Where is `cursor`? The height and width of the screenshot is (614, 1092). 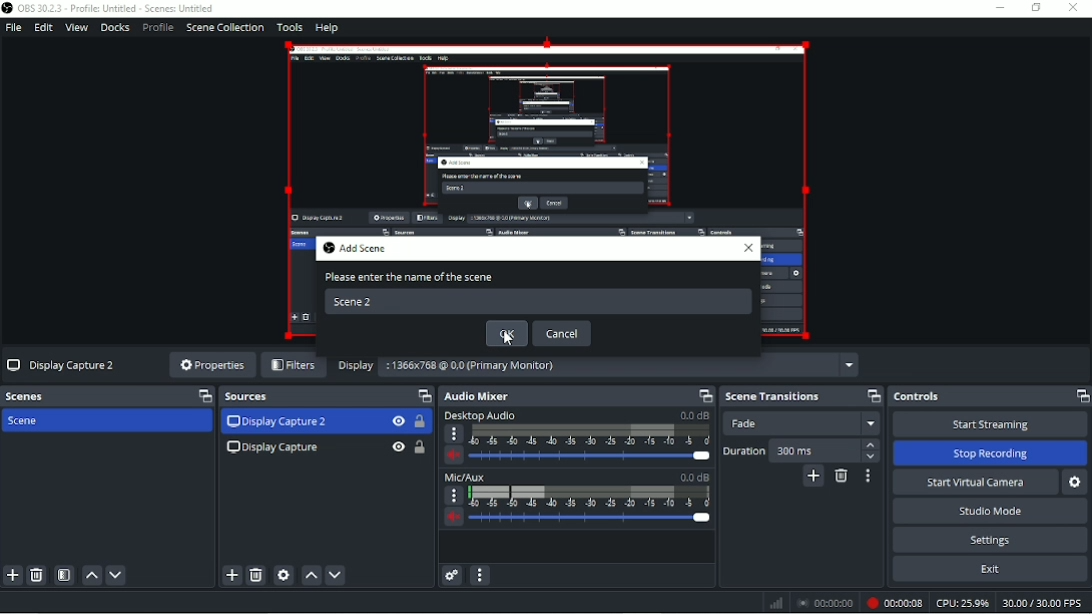 cursor is located at coordinates (508, 341).